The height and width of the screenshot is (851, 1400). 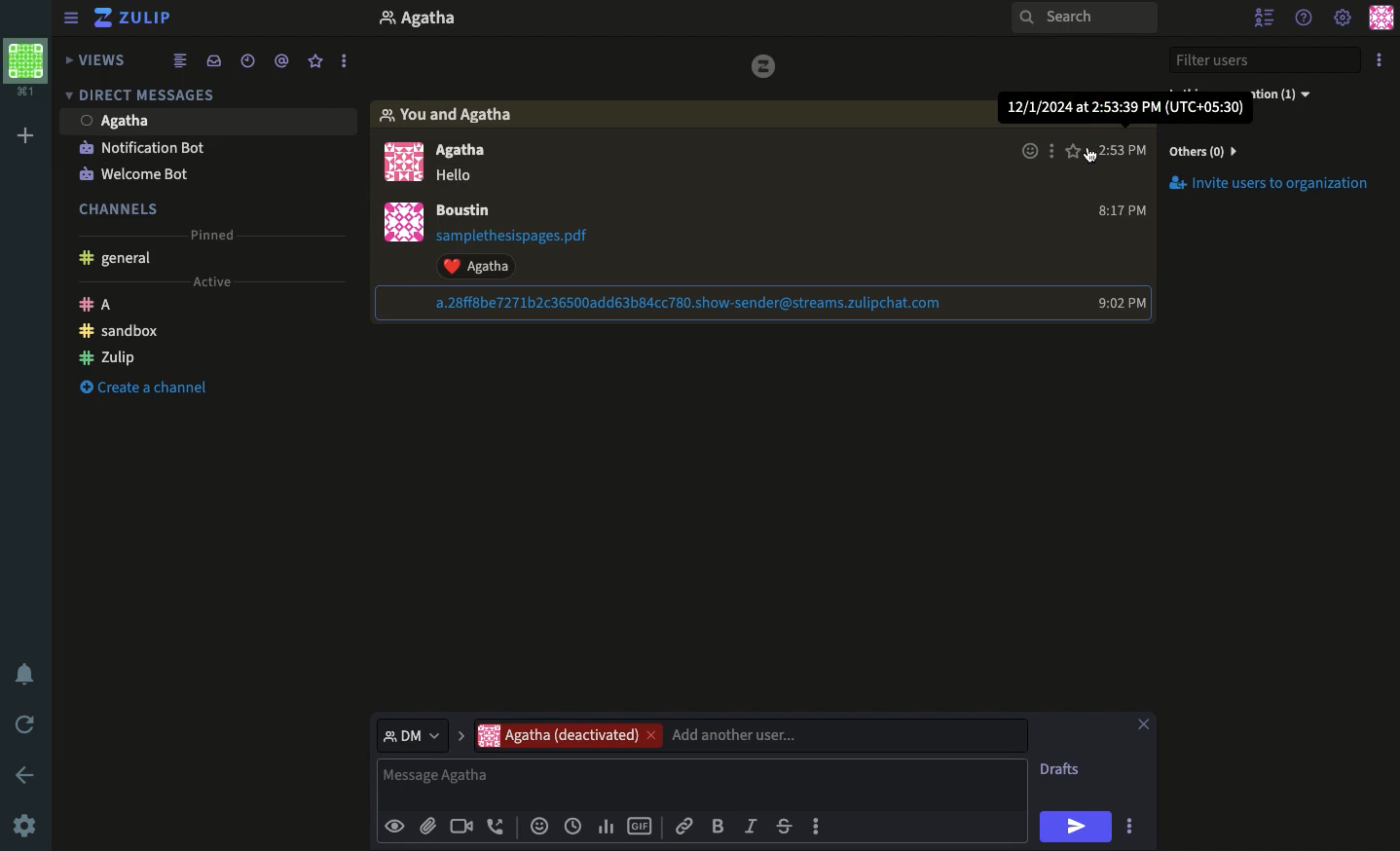 I want to click on Refresh, so click(x=27, y=724).